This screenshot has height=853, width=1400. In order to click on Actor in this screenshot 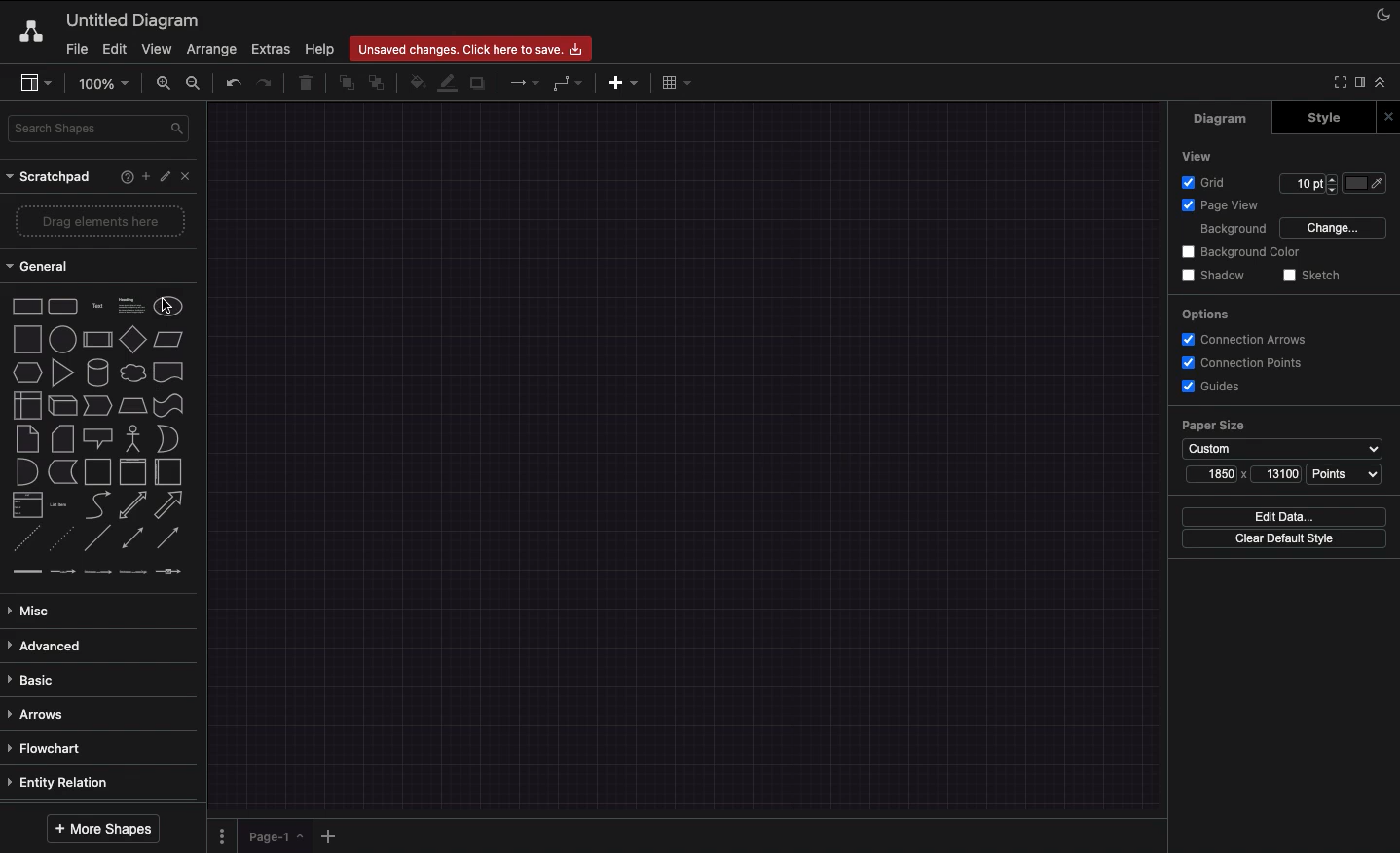, I will do `click(133, 436)`.